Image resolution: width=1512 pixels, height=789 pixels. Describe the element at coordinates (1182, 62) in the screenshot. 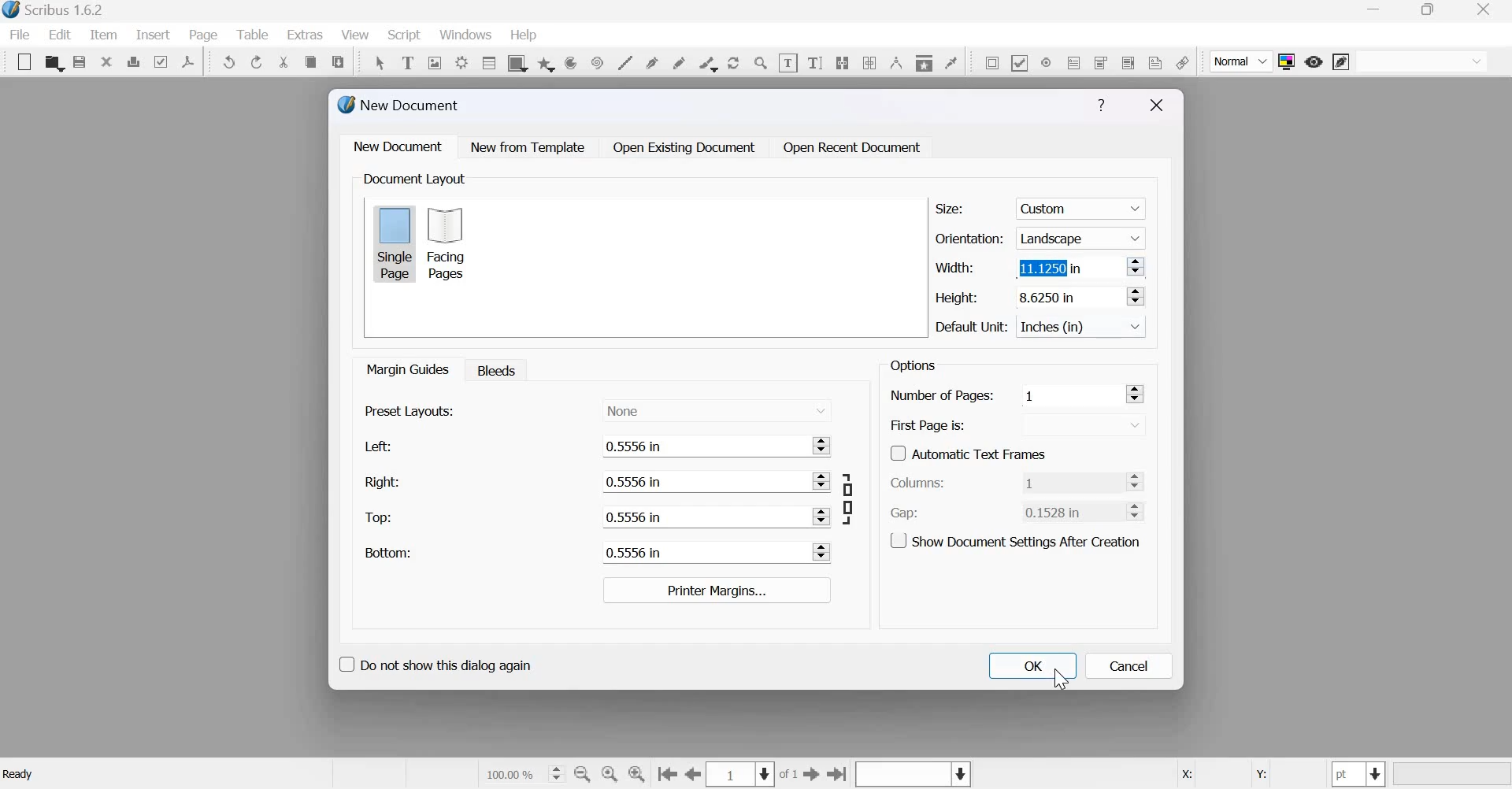

I see `link annotation` at that location.